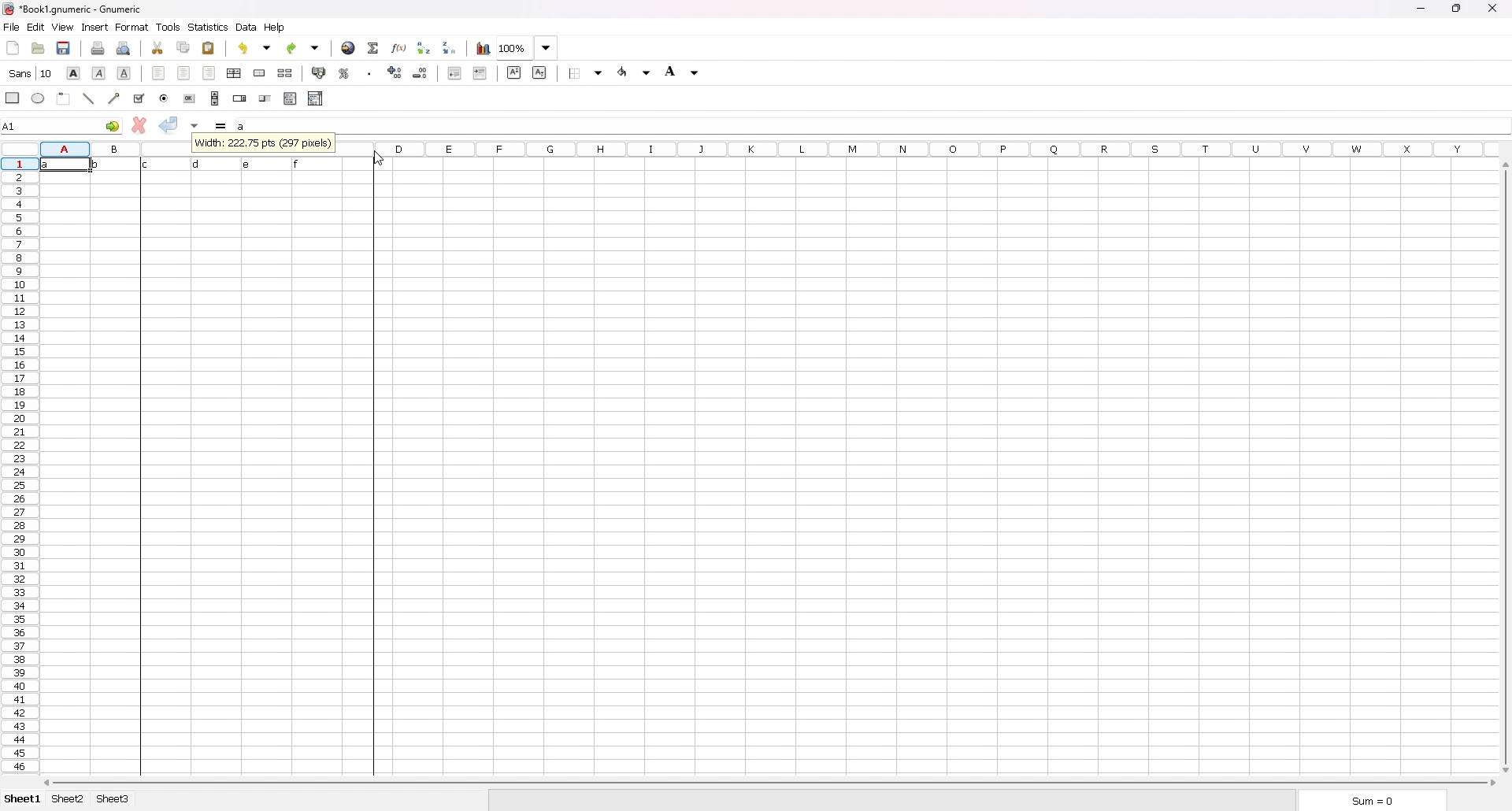  Describe the element at coordinates (234, 74) in the screenshot. I see `centre horizontally` at that location.